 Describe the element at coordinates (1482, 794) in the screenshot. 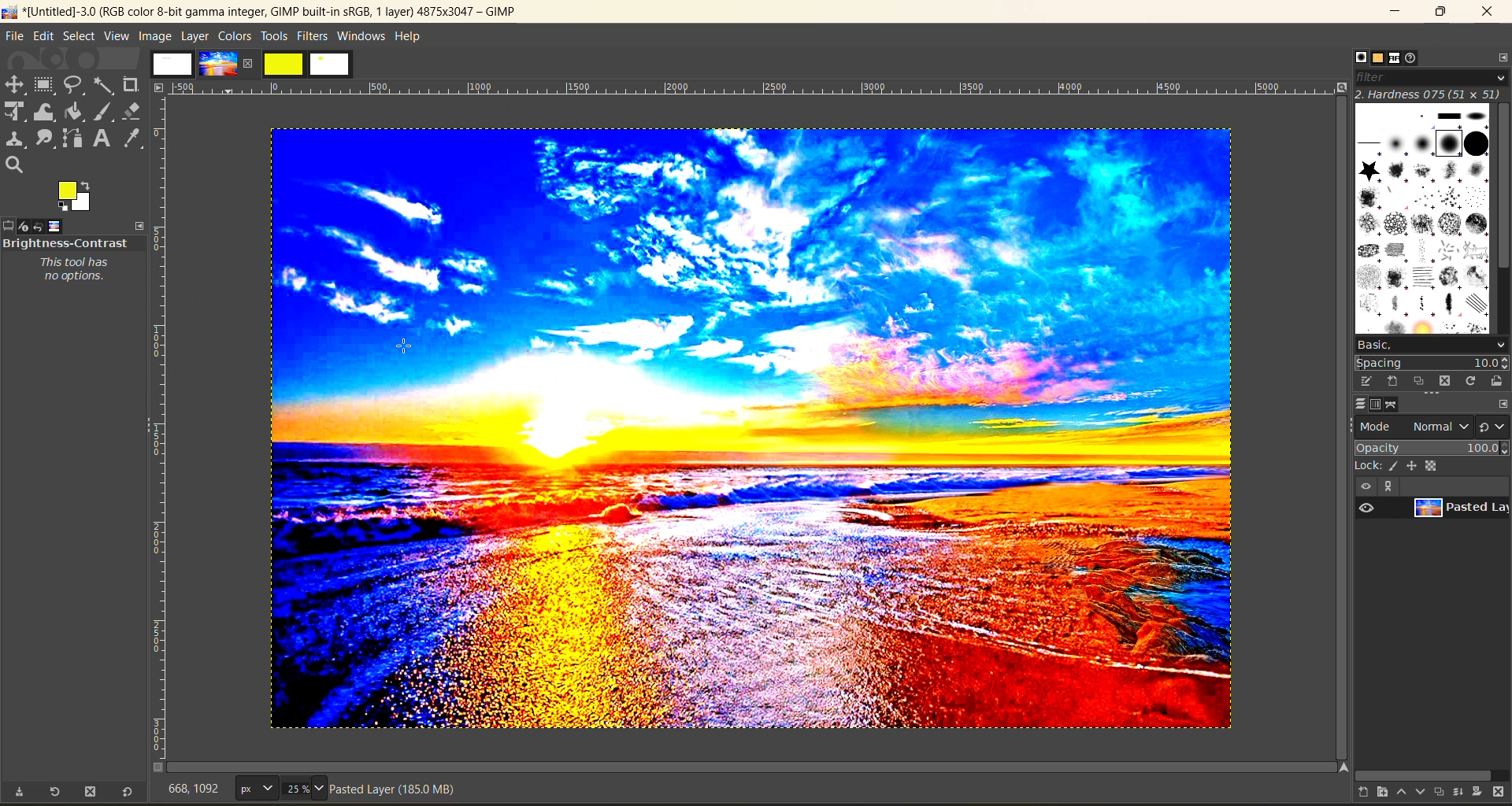

I see `add a mask` at that location.